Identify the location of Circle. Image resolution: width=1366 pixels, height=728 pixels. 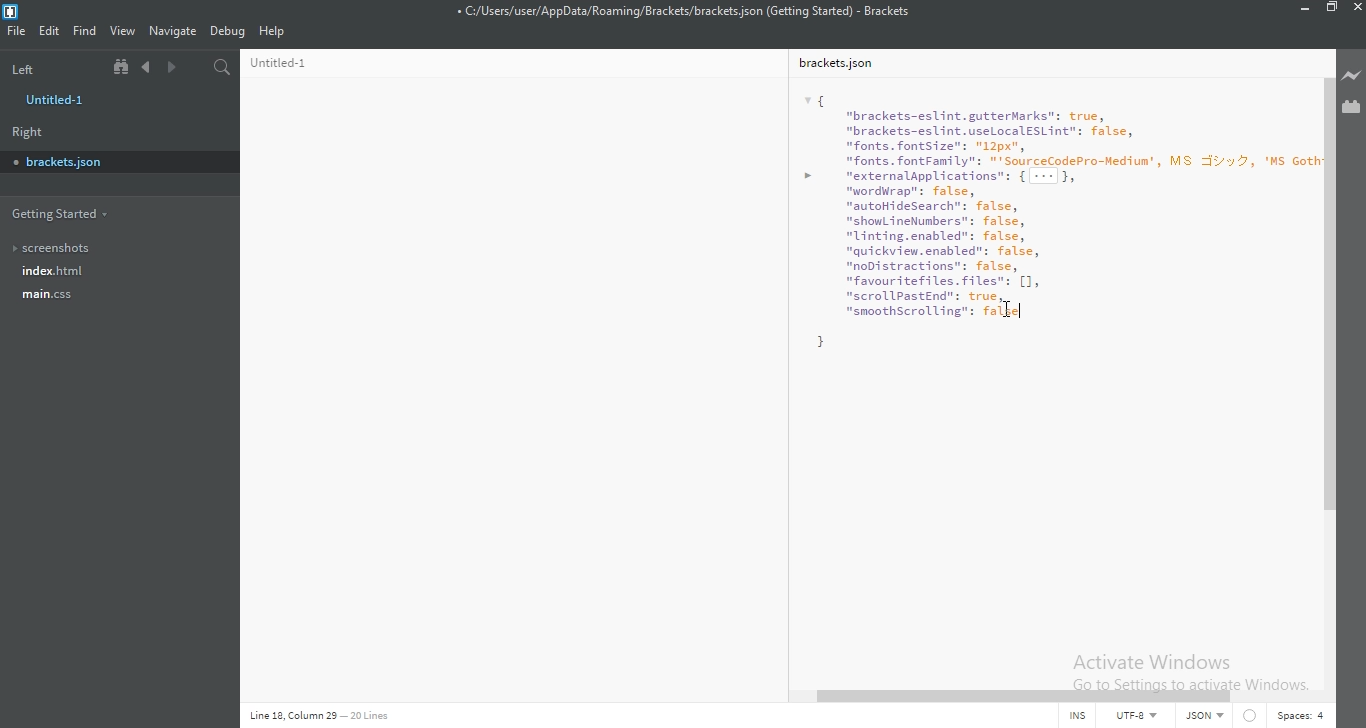
(1257, 718).